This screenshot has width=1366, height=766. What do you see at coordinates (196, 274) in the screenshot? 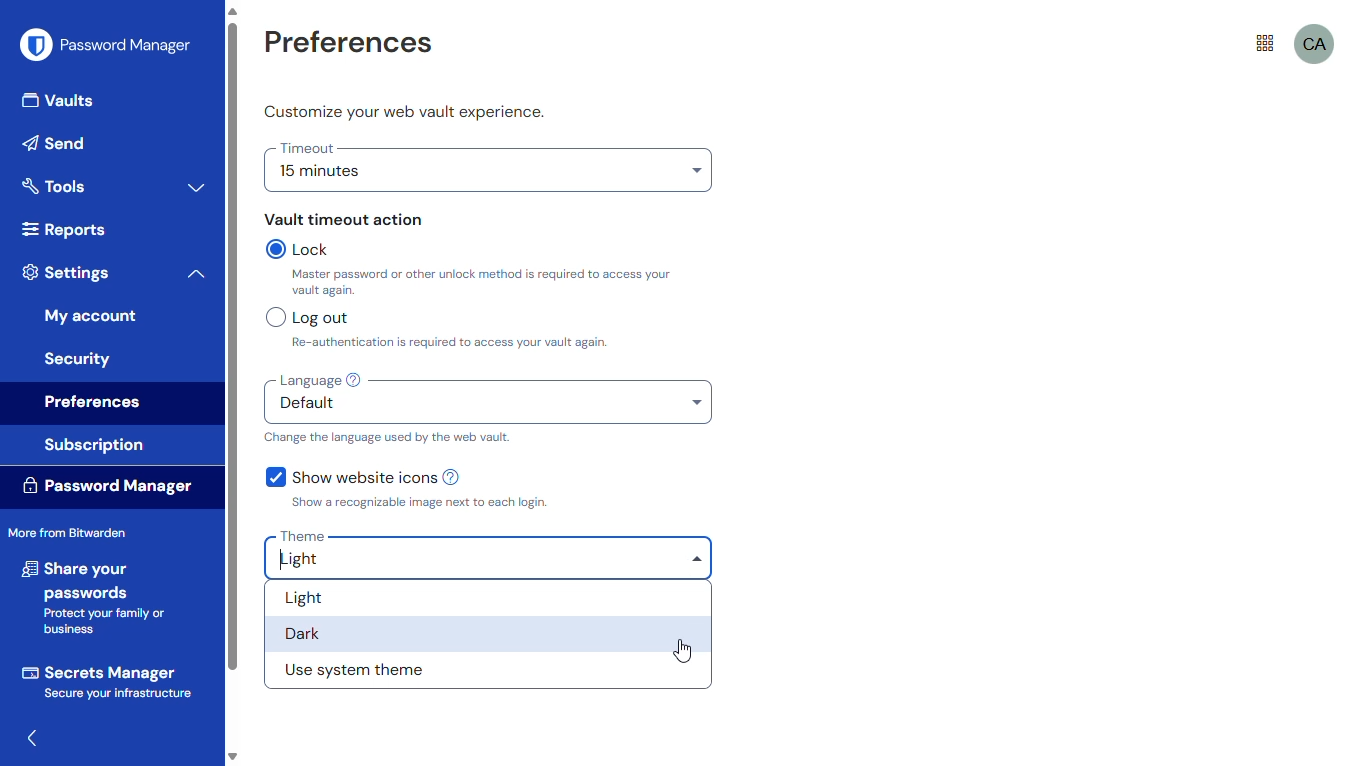
I see `toggle collapse` at bounding box center [196, 274].